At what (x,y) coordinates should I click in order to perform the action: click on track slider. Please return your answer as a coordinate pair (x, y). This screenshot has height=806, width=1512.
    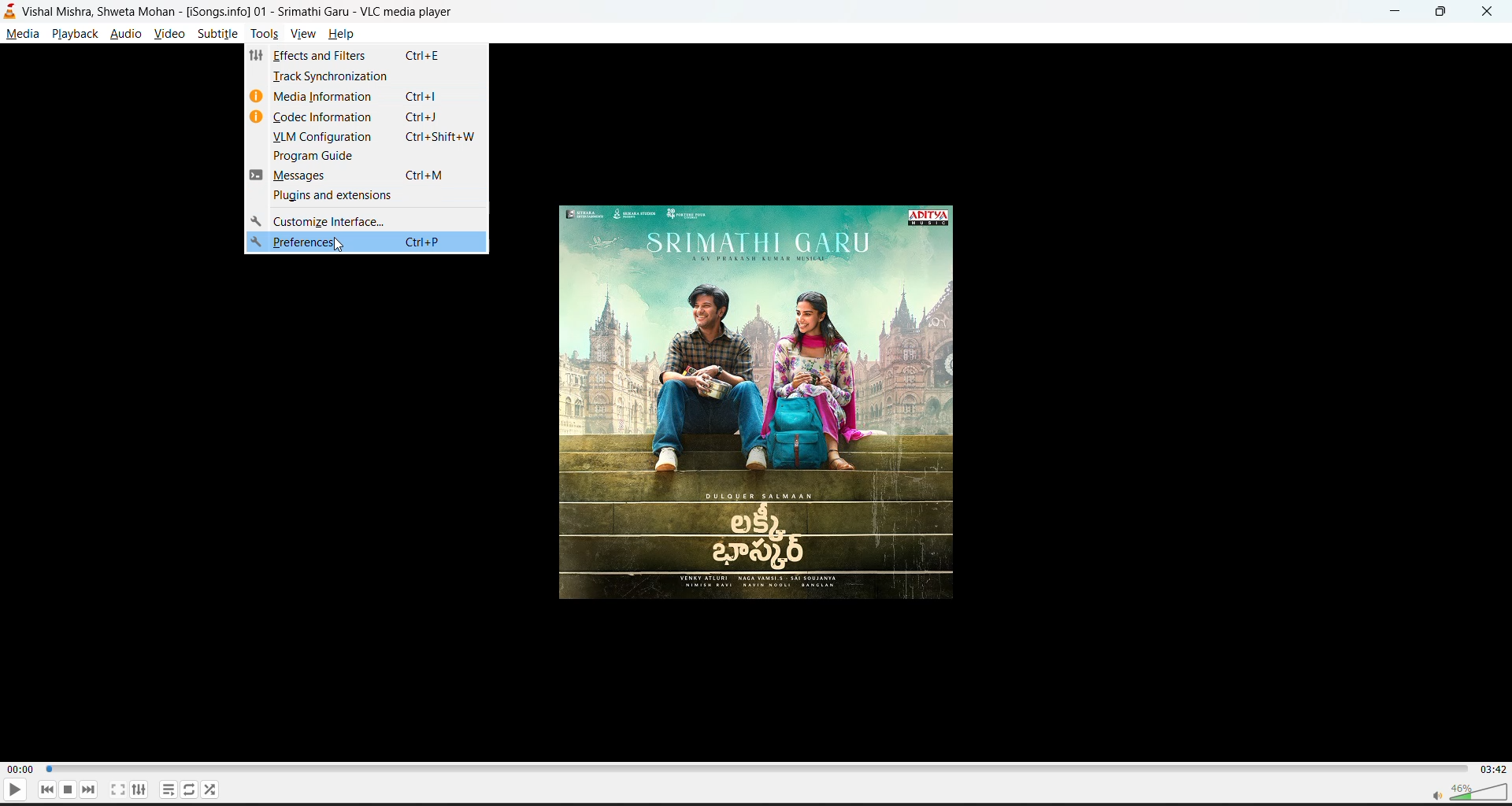
    Looking at the image, I should click on (754, 767).